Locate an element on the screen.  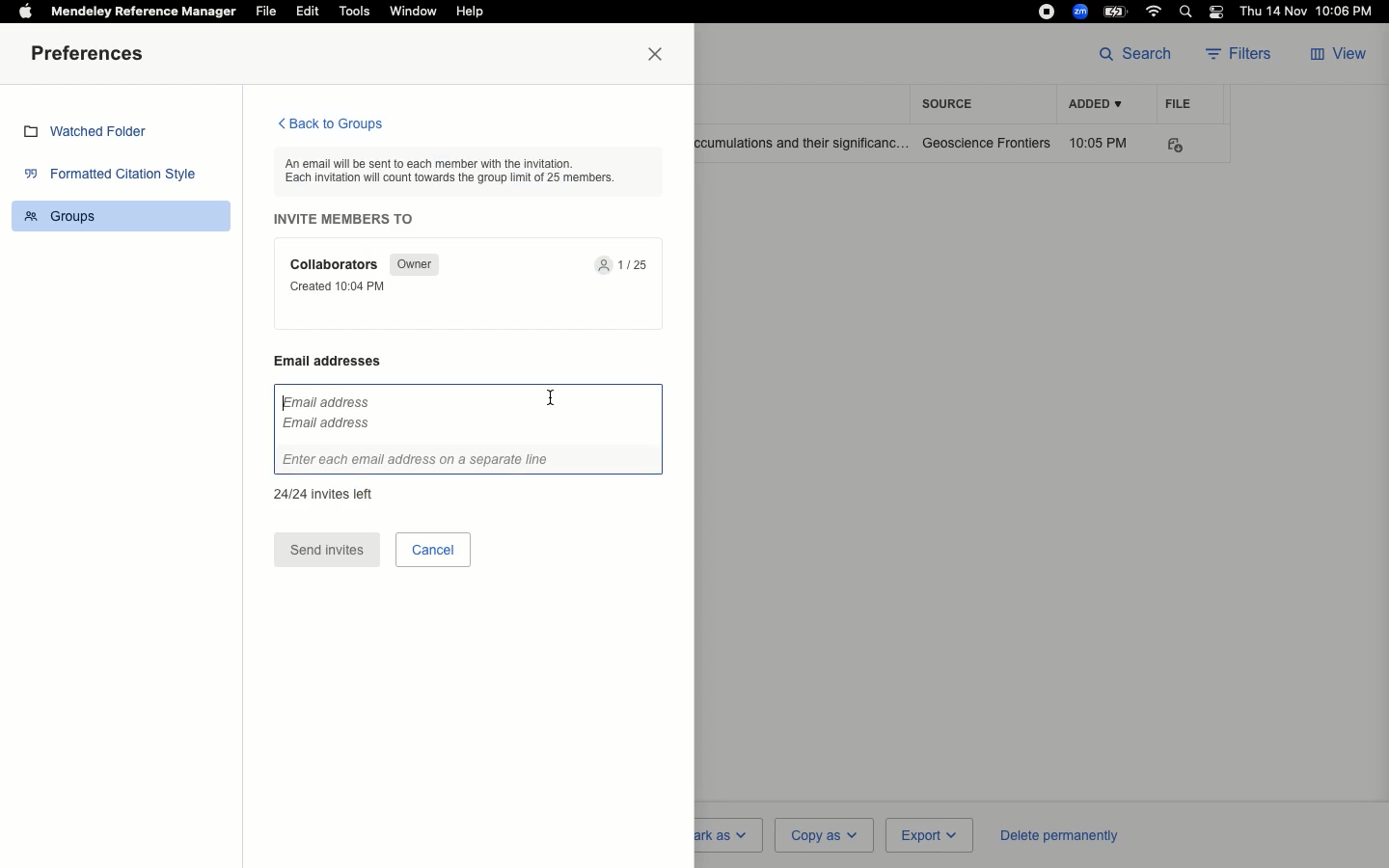
Groups is located at coordinates (124, 214).